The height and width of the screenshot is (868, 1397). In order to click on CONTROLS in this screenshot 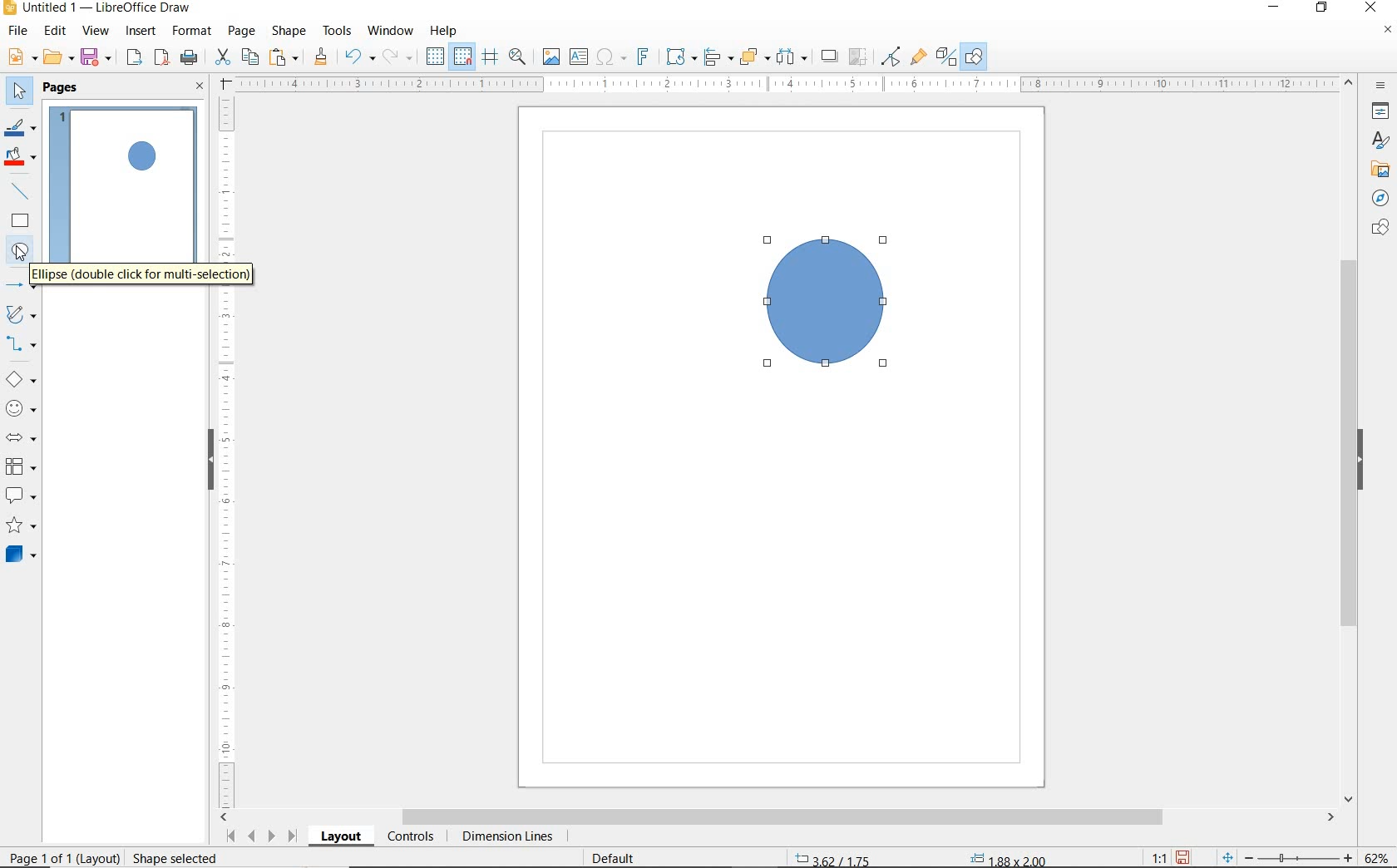, I will do `click(412, 838)`.